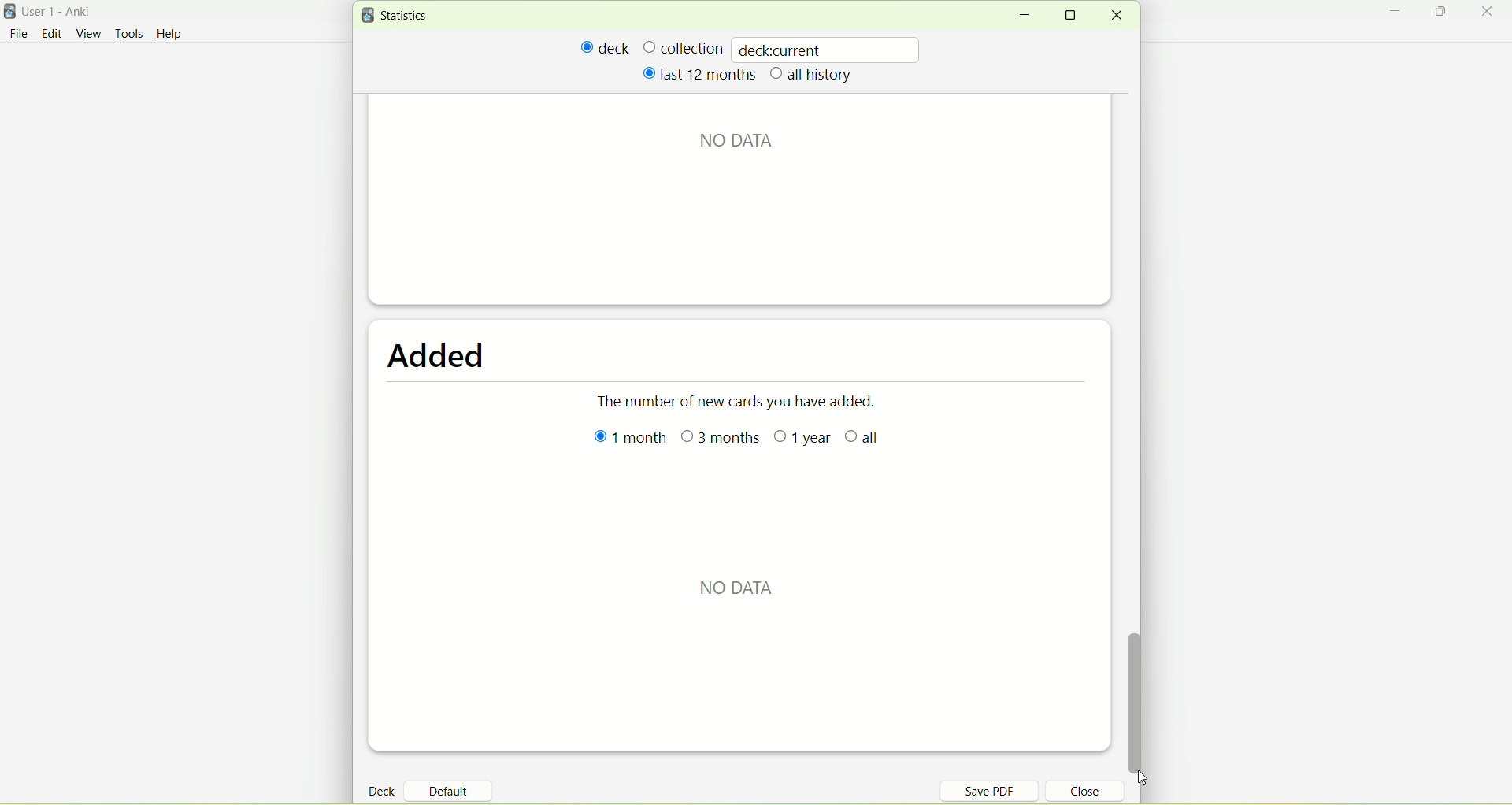 This screenshot has width=1512, height=805. Describe the element at coordinates (398, 16) in the screenshot. I see `statistics` at that location.